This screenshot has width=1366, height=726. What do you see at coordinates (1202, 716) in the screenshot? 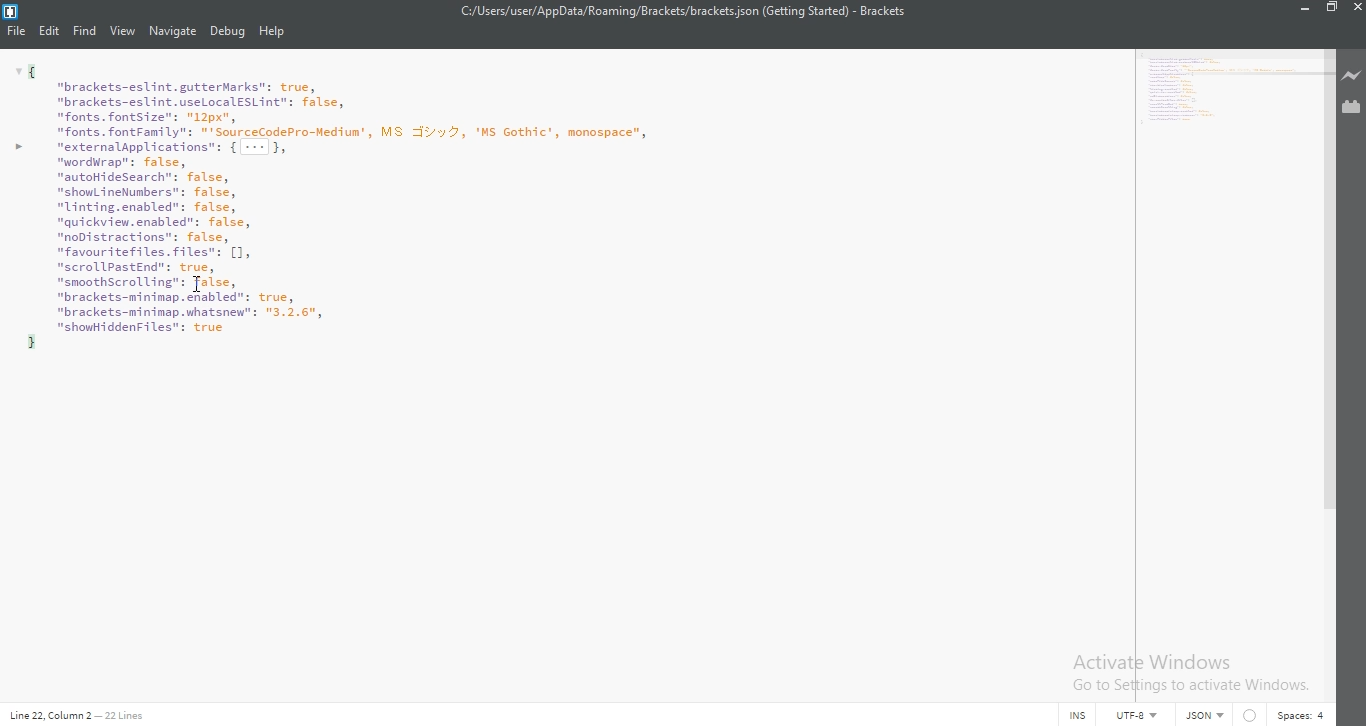
I see `JSON` at bounding box center [1202, 716].